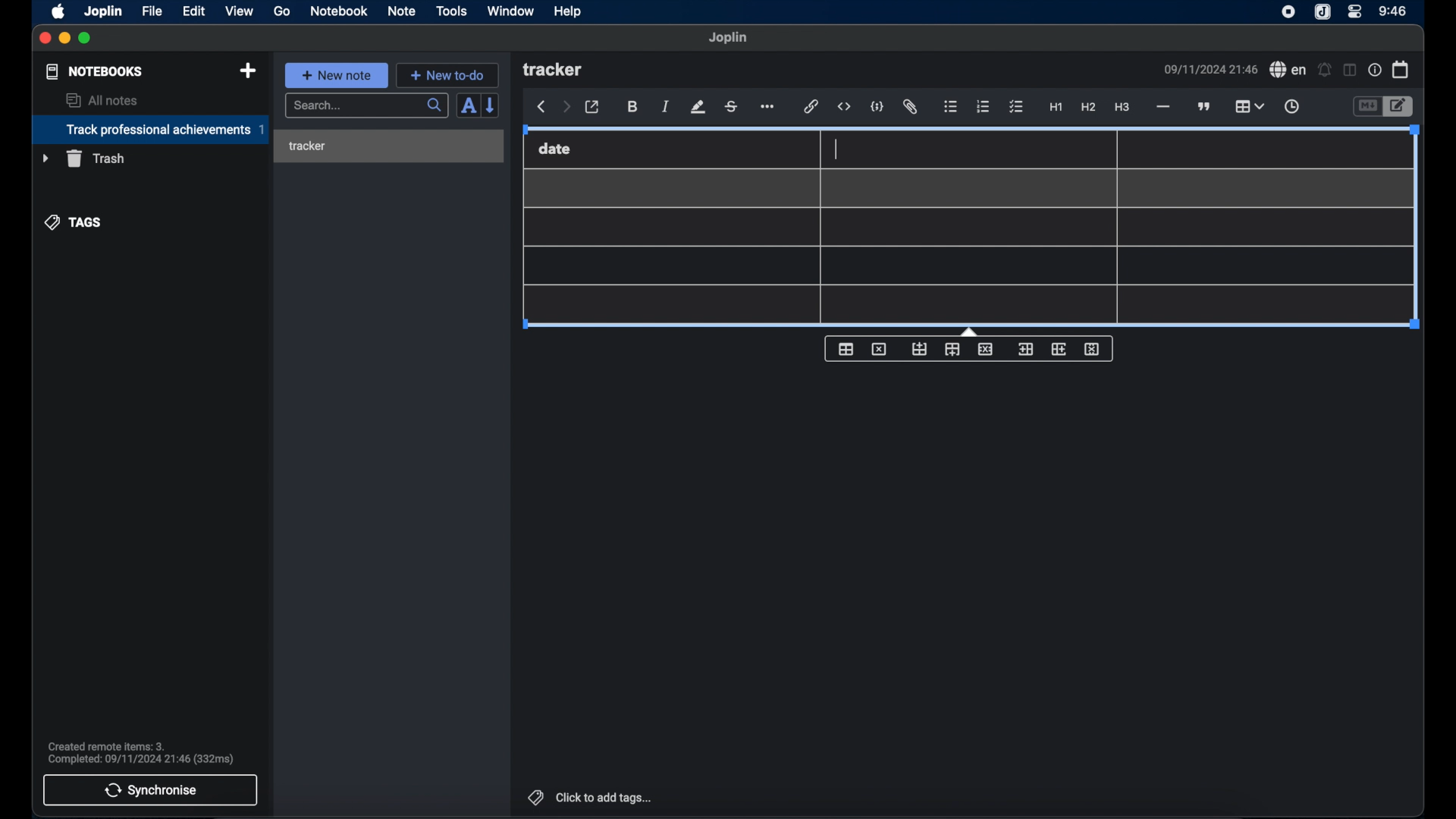  What do you see at coordinates (492, 105) in the screenshot?
I see `reverse sort order` at bounding box center [492, 105].